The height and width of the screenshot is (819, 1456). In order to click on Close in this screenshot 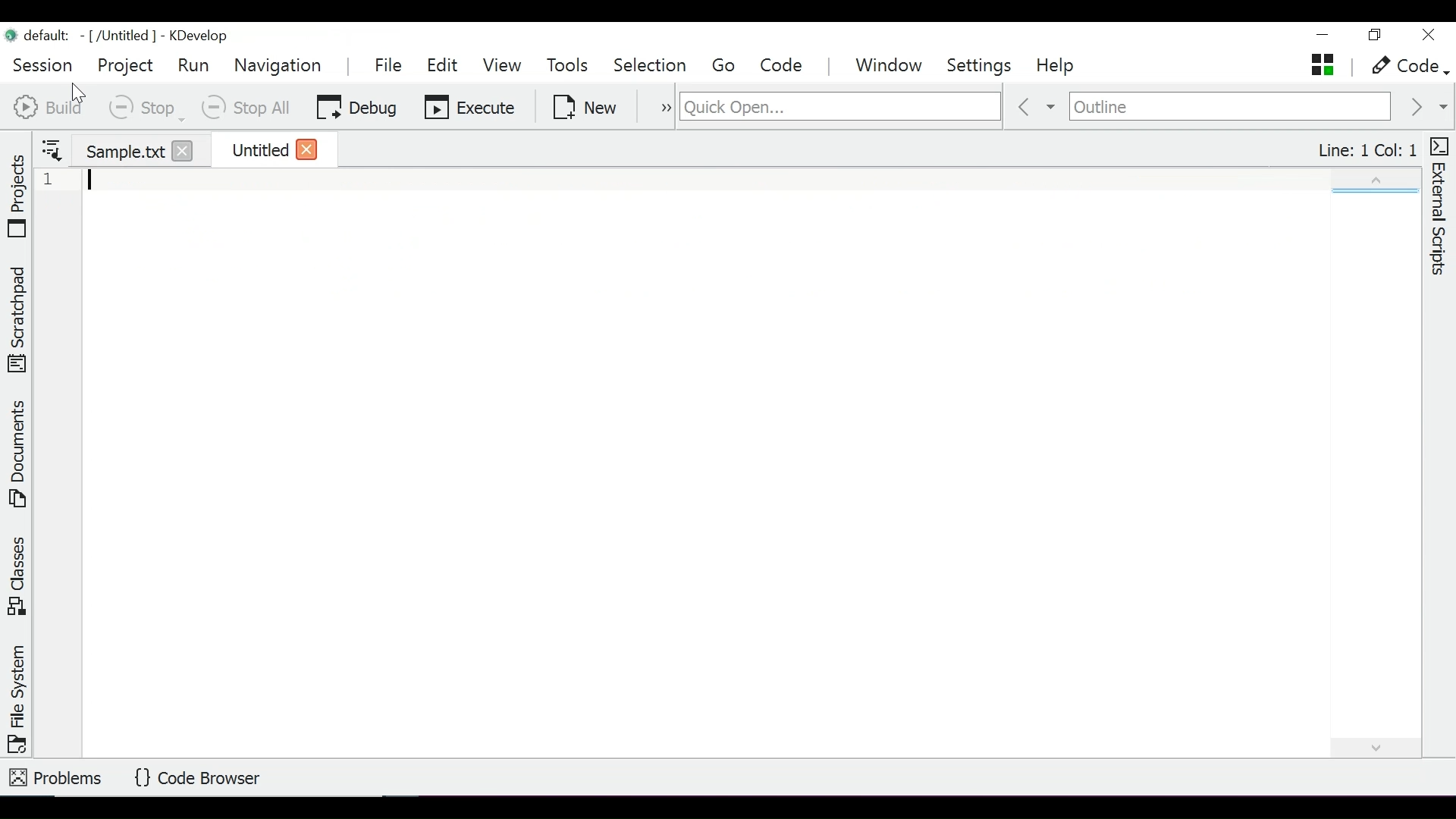, I will do `click(180, 151)`.